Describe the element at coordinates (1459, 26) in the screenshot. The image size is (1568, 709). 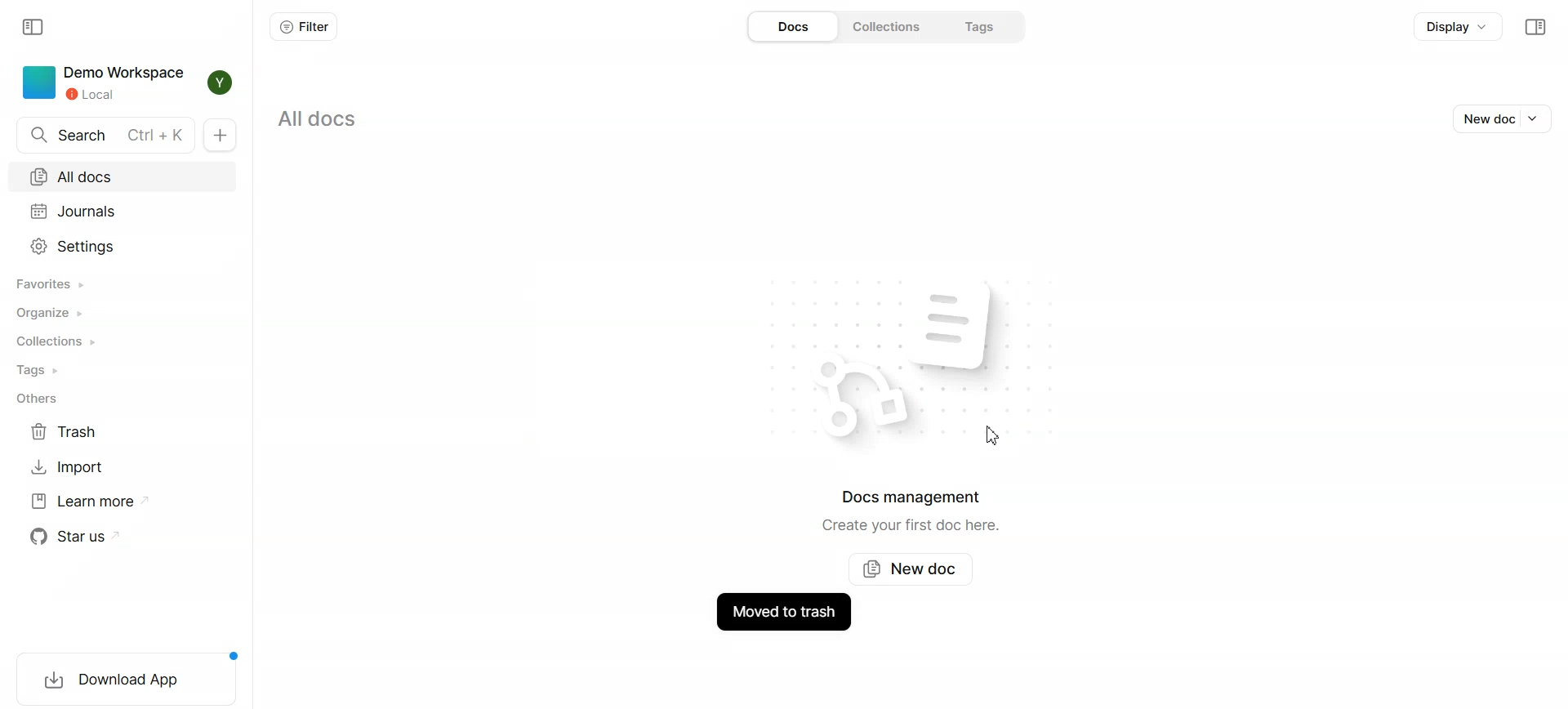
I see `Display` at that location.